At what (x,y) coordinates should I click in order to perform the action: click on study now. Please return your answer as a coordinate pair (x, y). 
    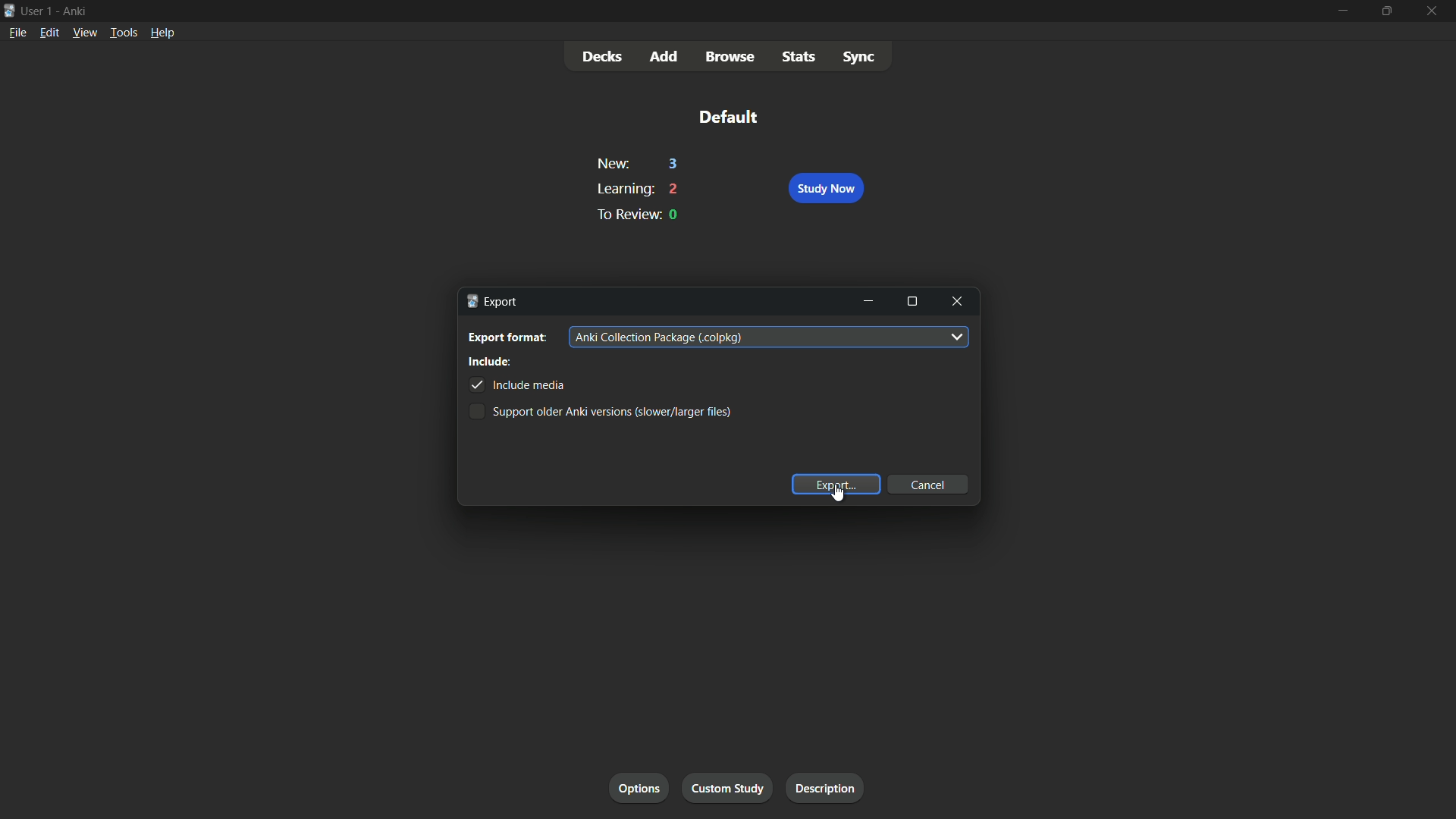
    Looking at the image, I should click on (825, 189).